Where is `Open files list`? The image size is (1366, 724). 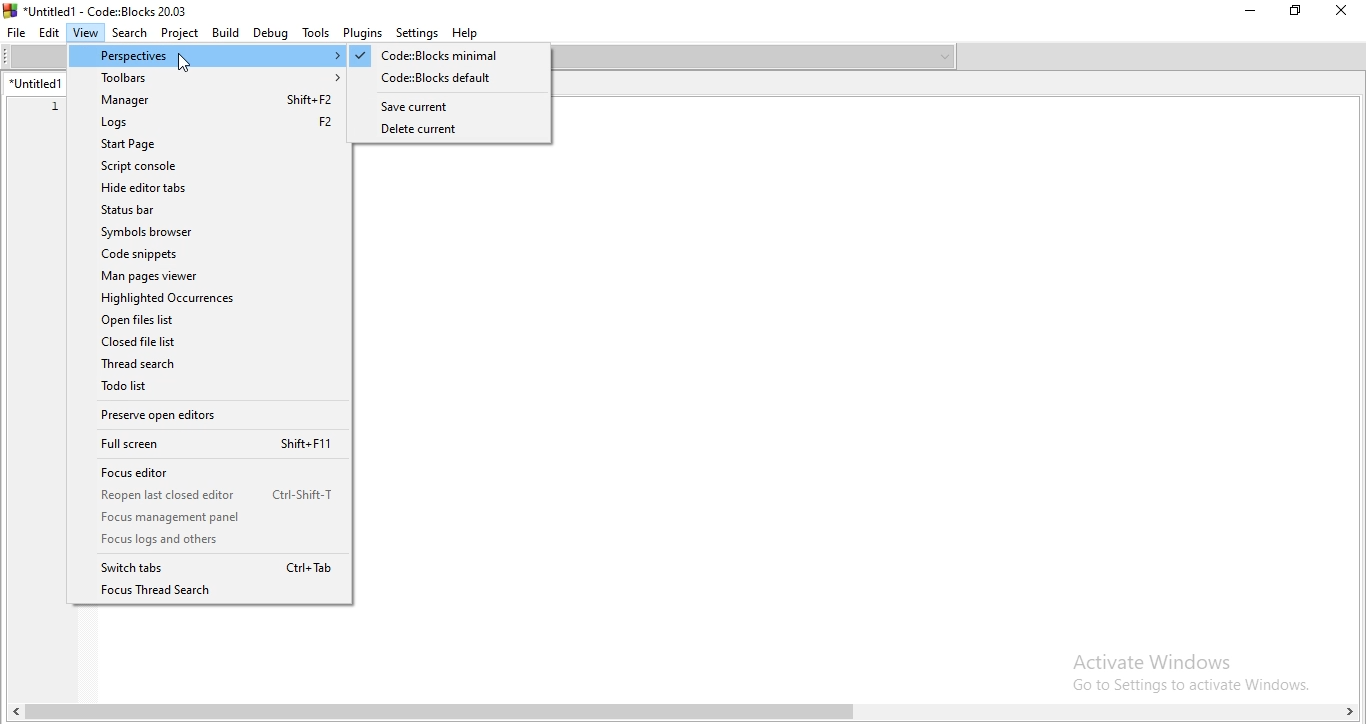 Open files list is located at coordinates (208, 319).